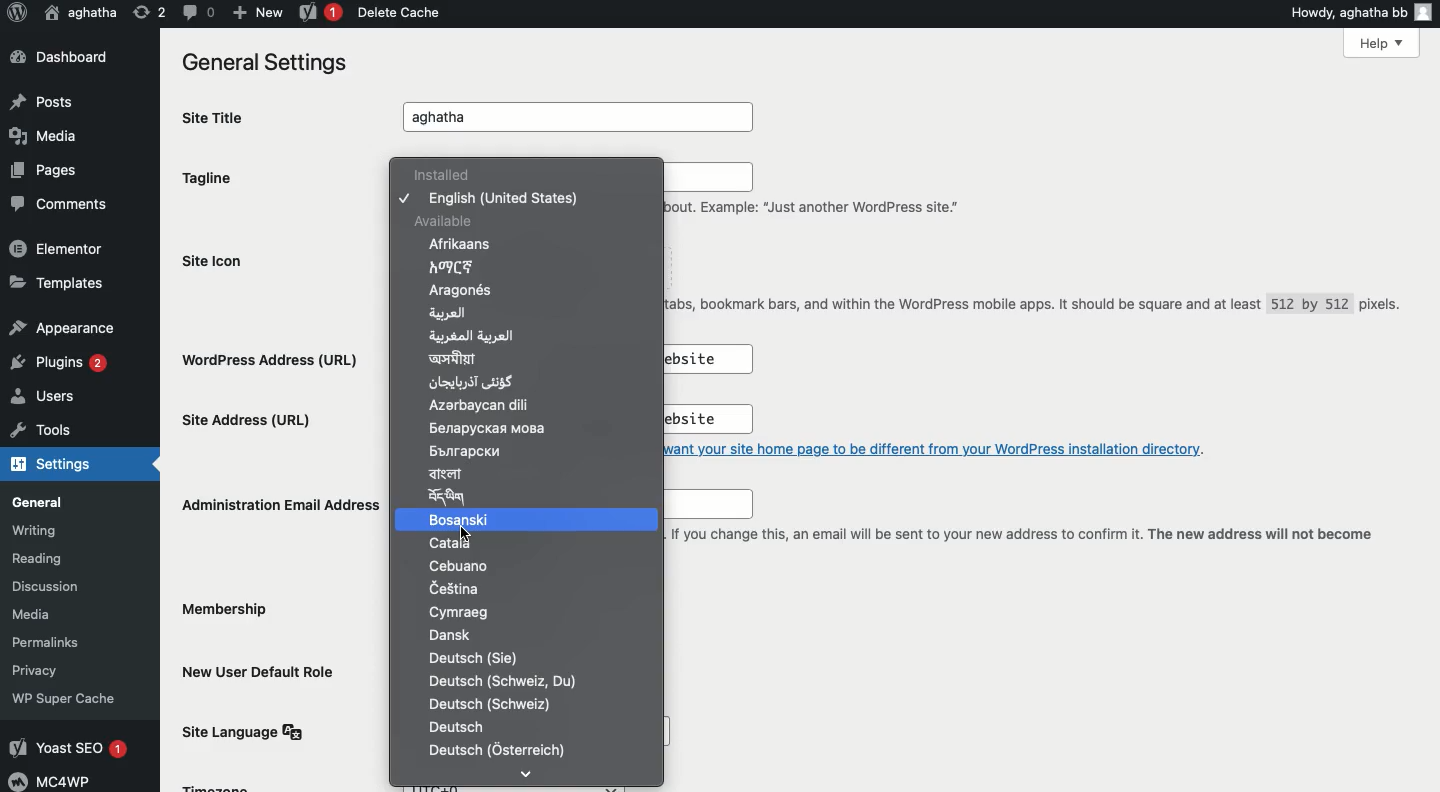  What do you see at coordinates (254, 12) in the screenshot?
I see `New` at bounding box center [254, 12].